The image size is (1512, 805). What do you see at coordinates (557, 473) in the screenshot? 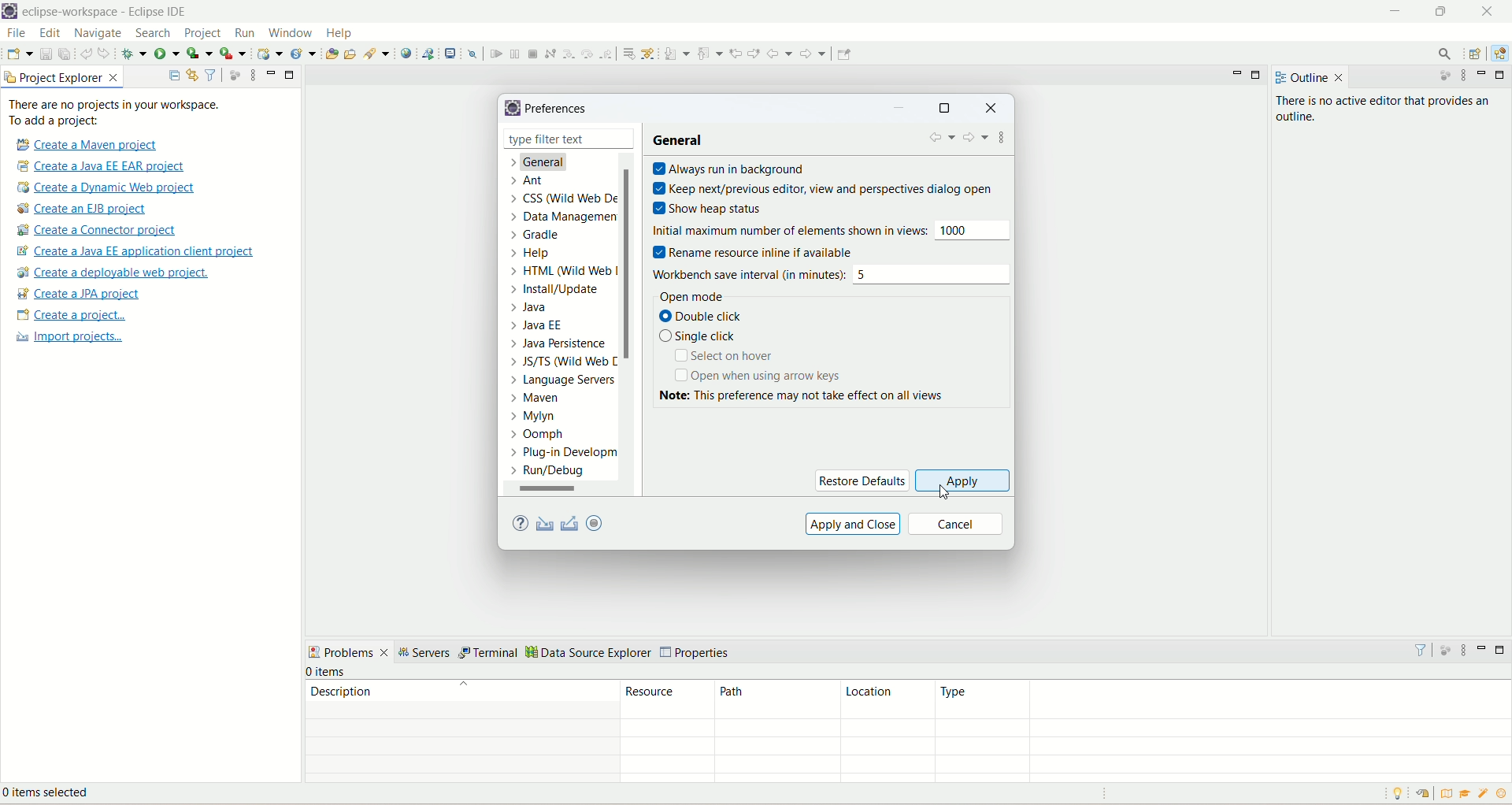
I see `run/debug` at bounding box center [557, 473].